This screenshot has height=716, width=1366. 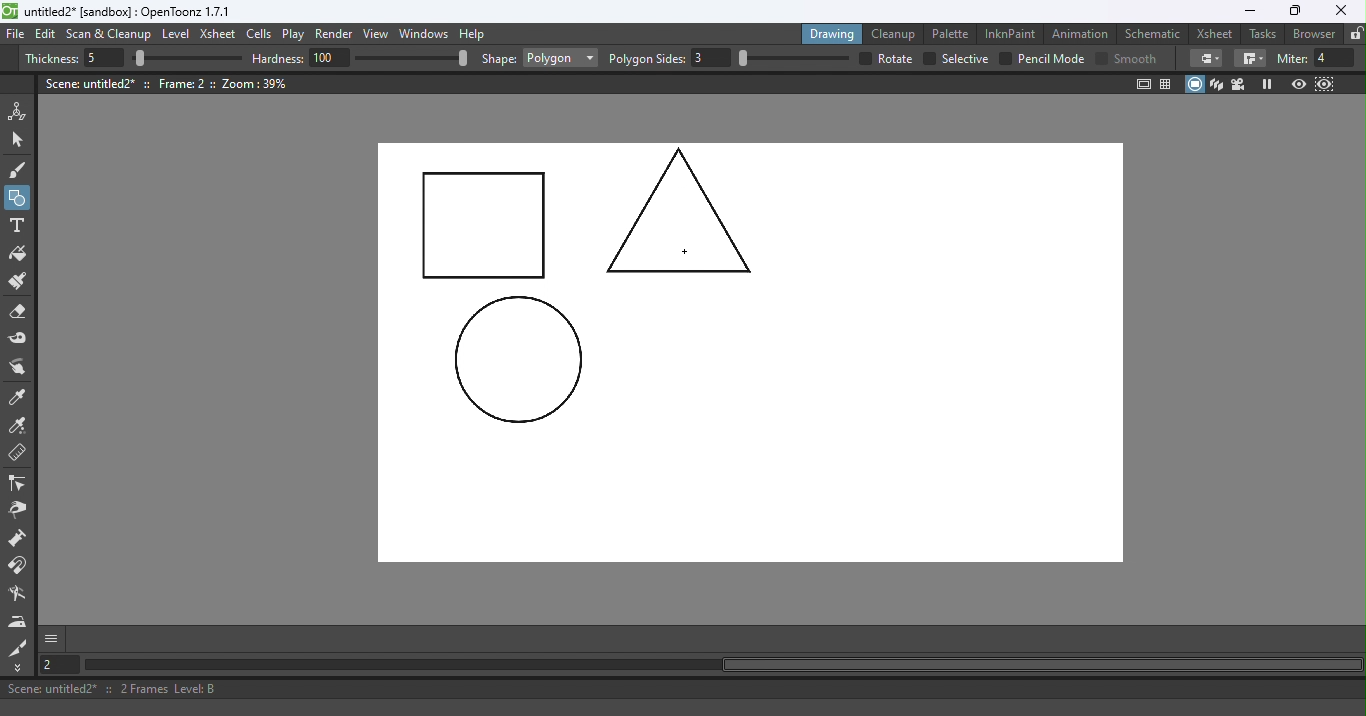 I want to click on Tape tool, so click(x=21, y=340).